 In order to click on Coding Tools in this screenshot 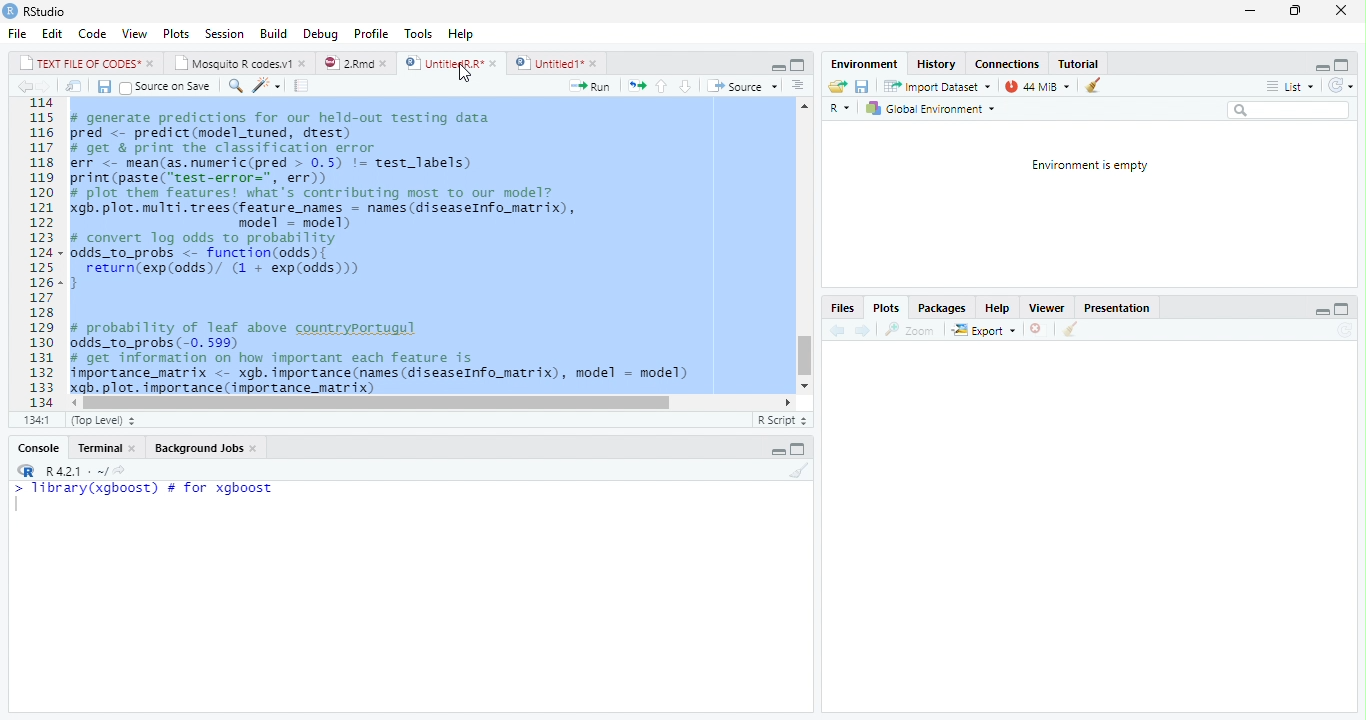, I will do `click(266, 84)`.